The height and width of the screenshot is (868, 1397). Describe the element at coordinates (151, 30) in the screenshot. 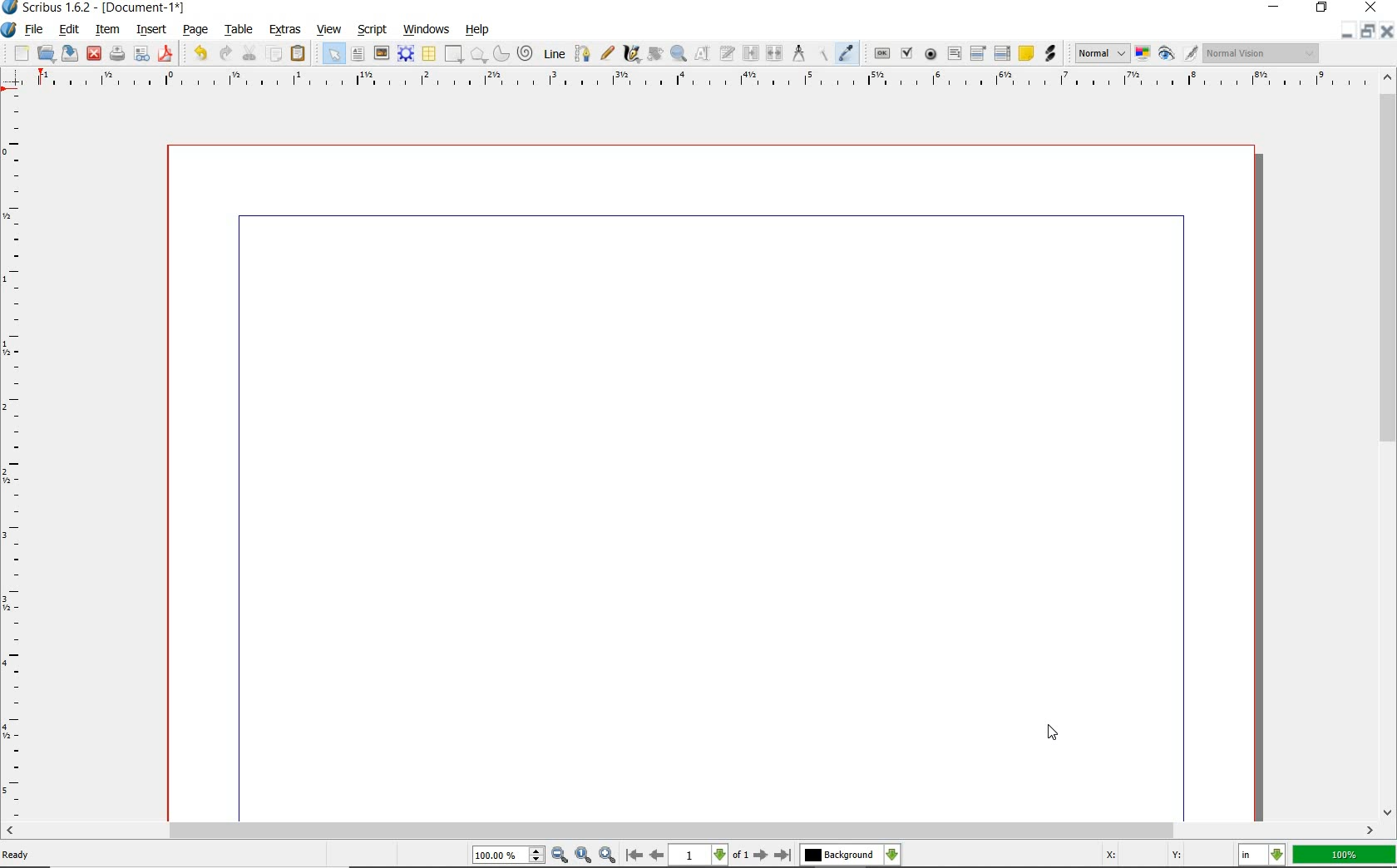

I see `insert` at that location.